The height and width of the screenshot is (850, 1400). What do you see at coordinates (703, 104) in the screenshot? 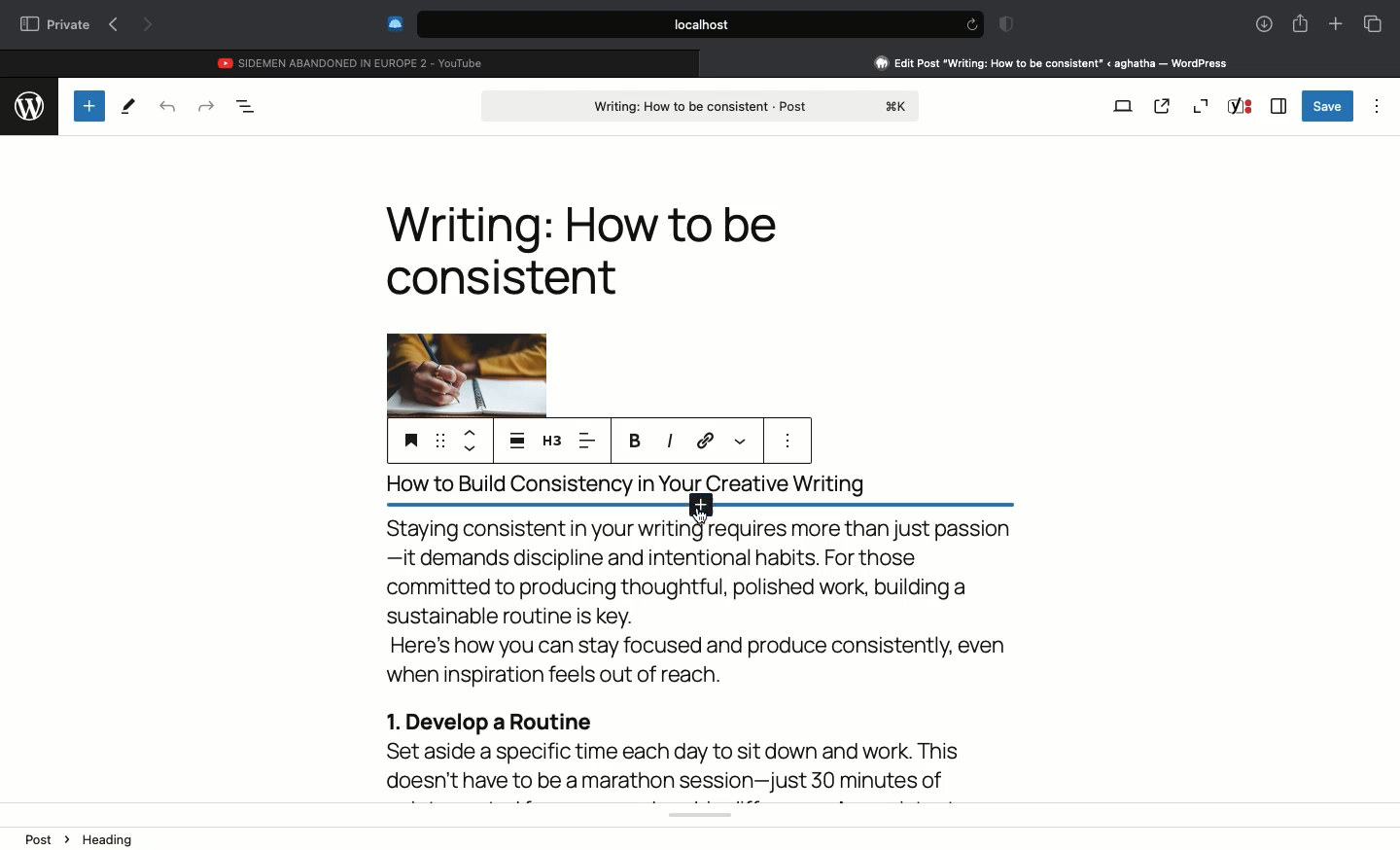
I see `Post` at bounding box center [703, 104].